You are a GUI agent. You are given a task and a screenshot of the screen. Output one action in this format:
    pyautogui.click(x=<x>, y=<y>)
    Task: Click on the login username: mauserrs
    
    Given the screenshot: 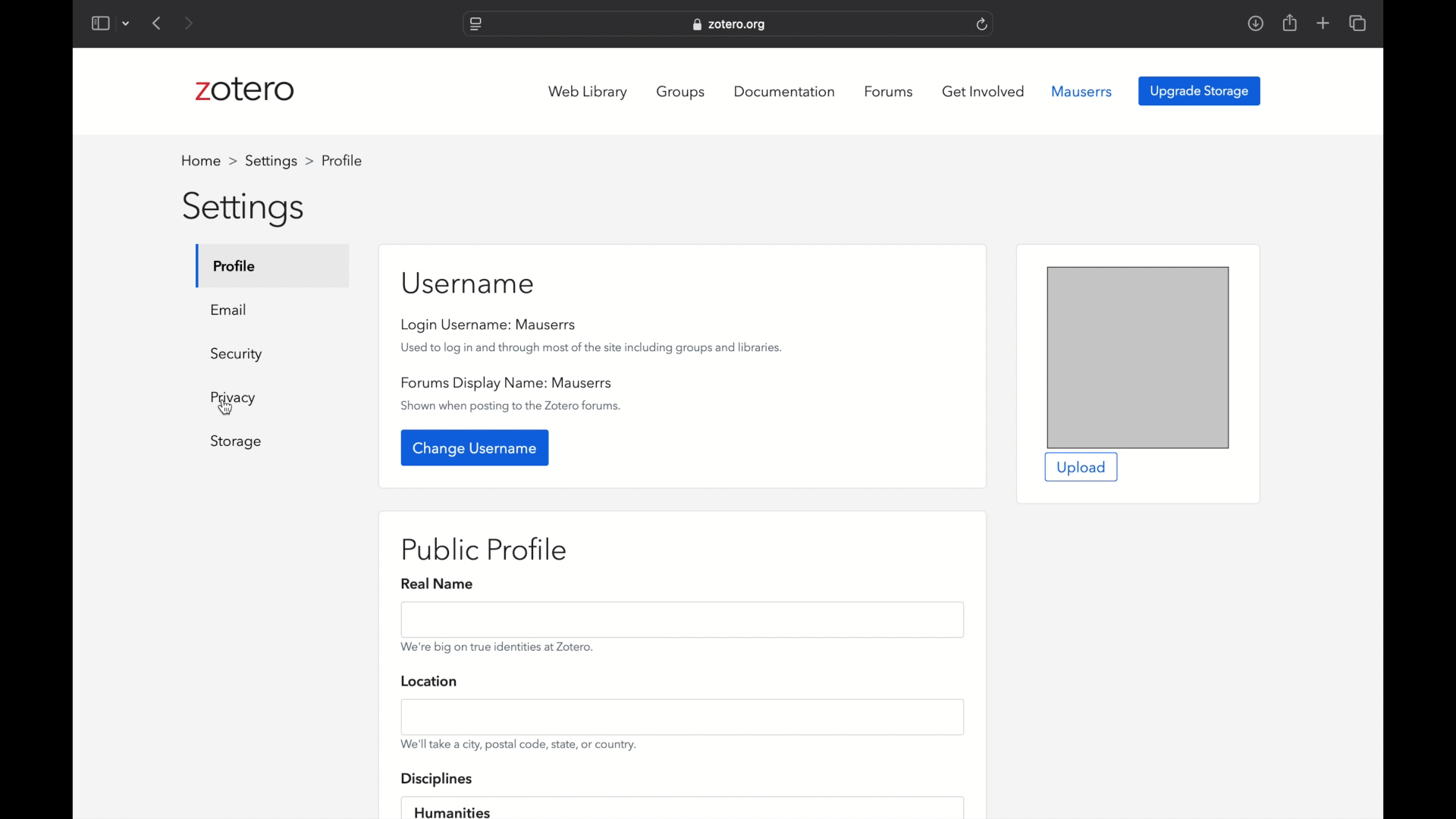 What is the action you would take?
    pyautogui.click(x=490, y=325)
    